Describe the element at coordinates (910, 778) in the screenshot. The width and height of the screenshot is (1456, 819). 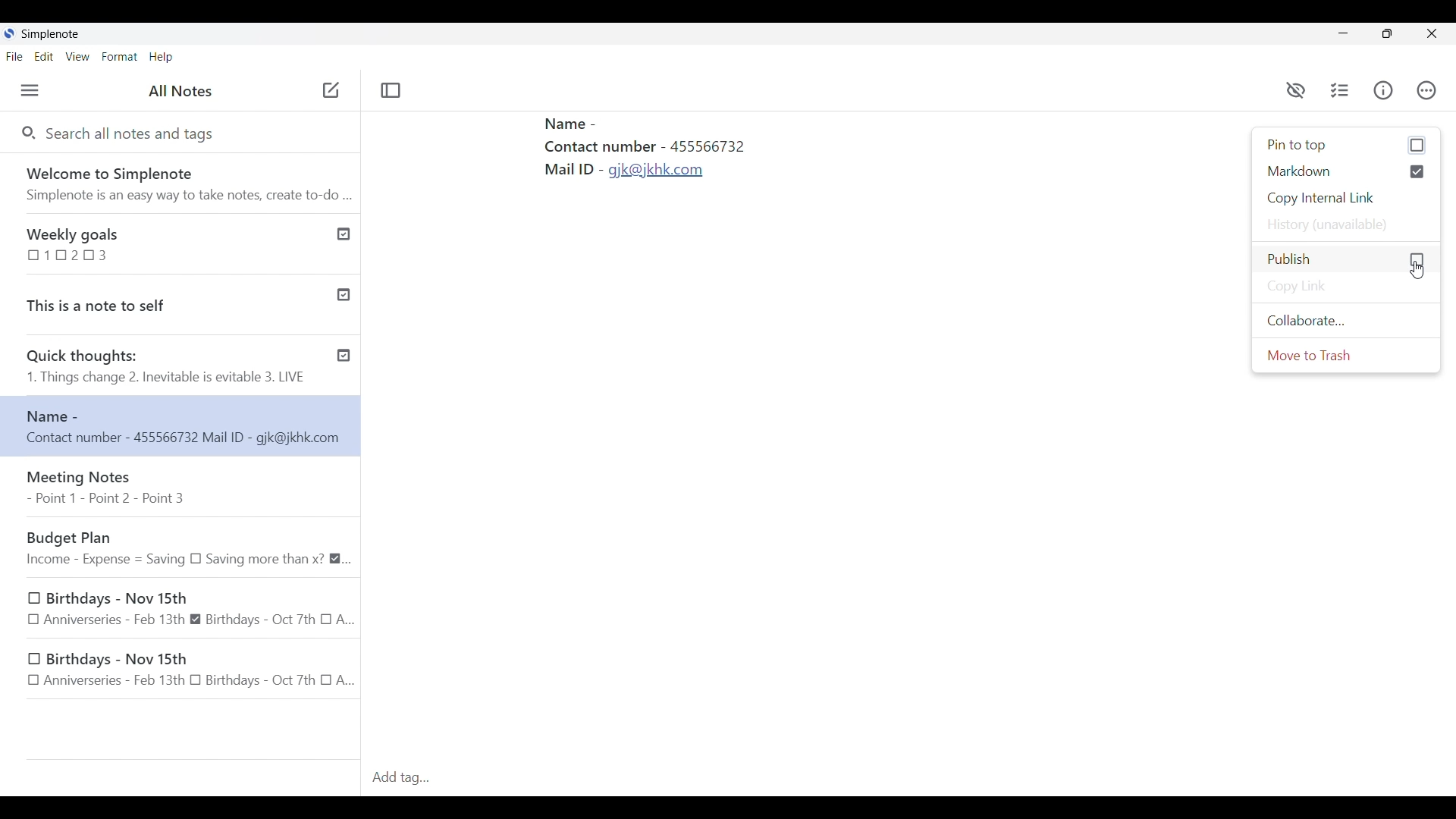
I see `Click to type in tag` at that location.